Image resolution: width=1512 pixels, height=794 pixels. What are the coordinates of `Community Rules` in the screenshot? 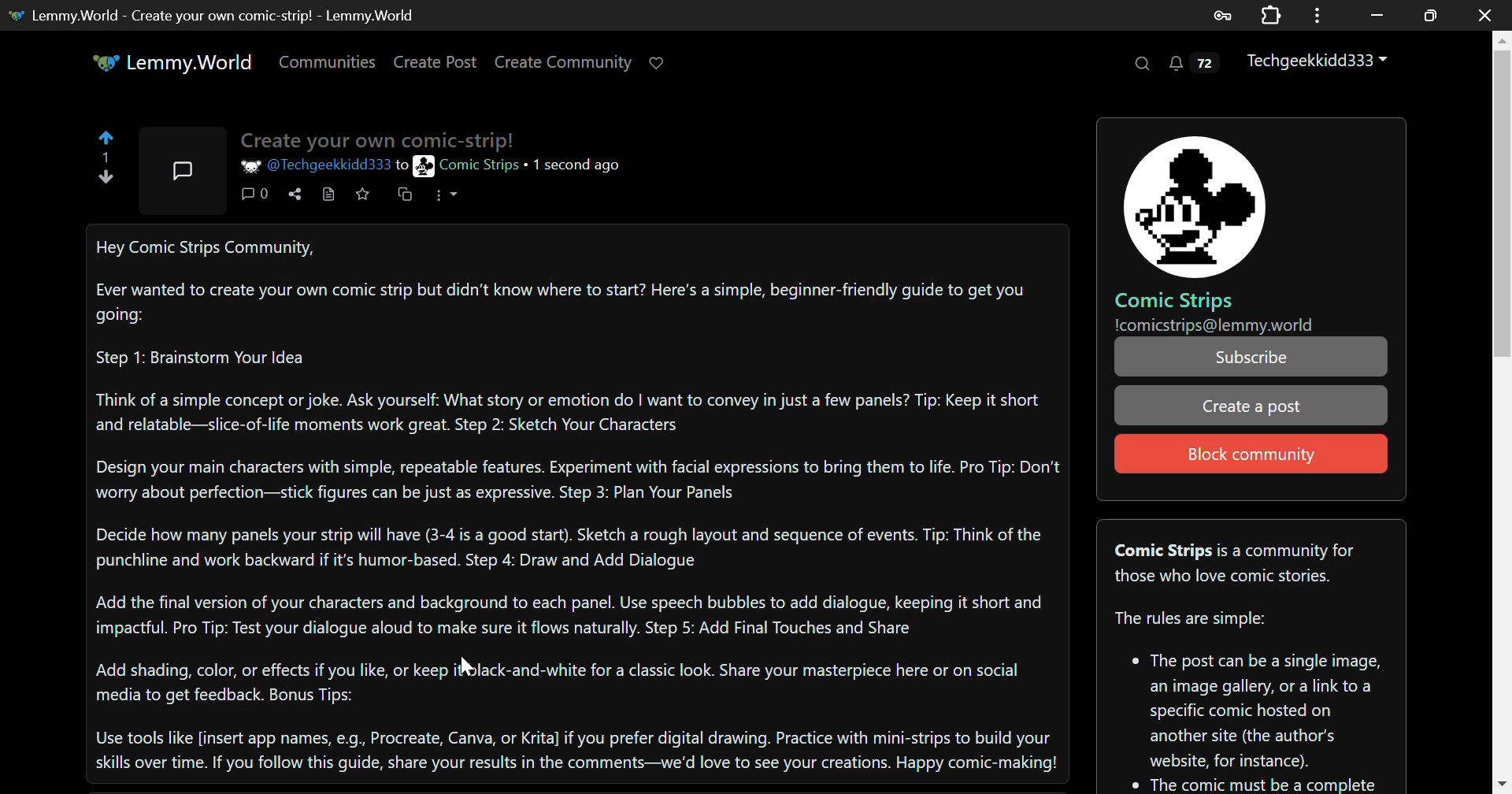 It's located at (1248, 655).